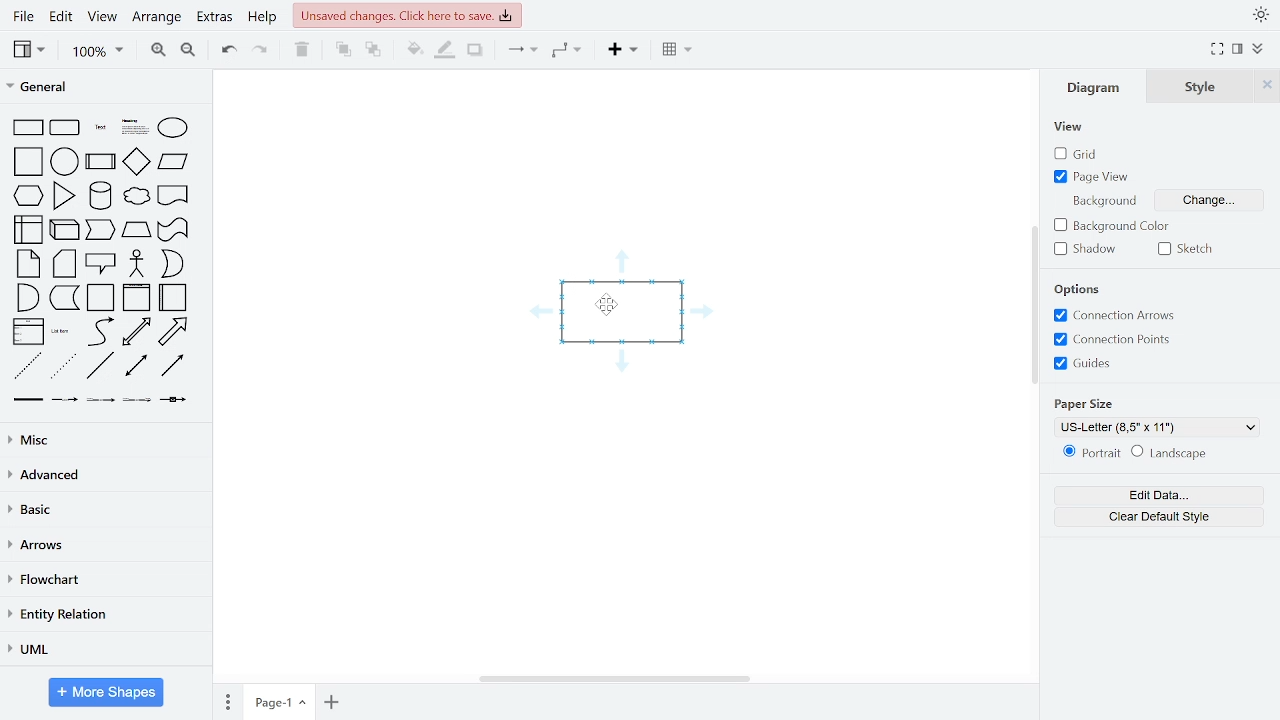 The image size is (1280, 720). I want to click on actor, so click(136, 263).